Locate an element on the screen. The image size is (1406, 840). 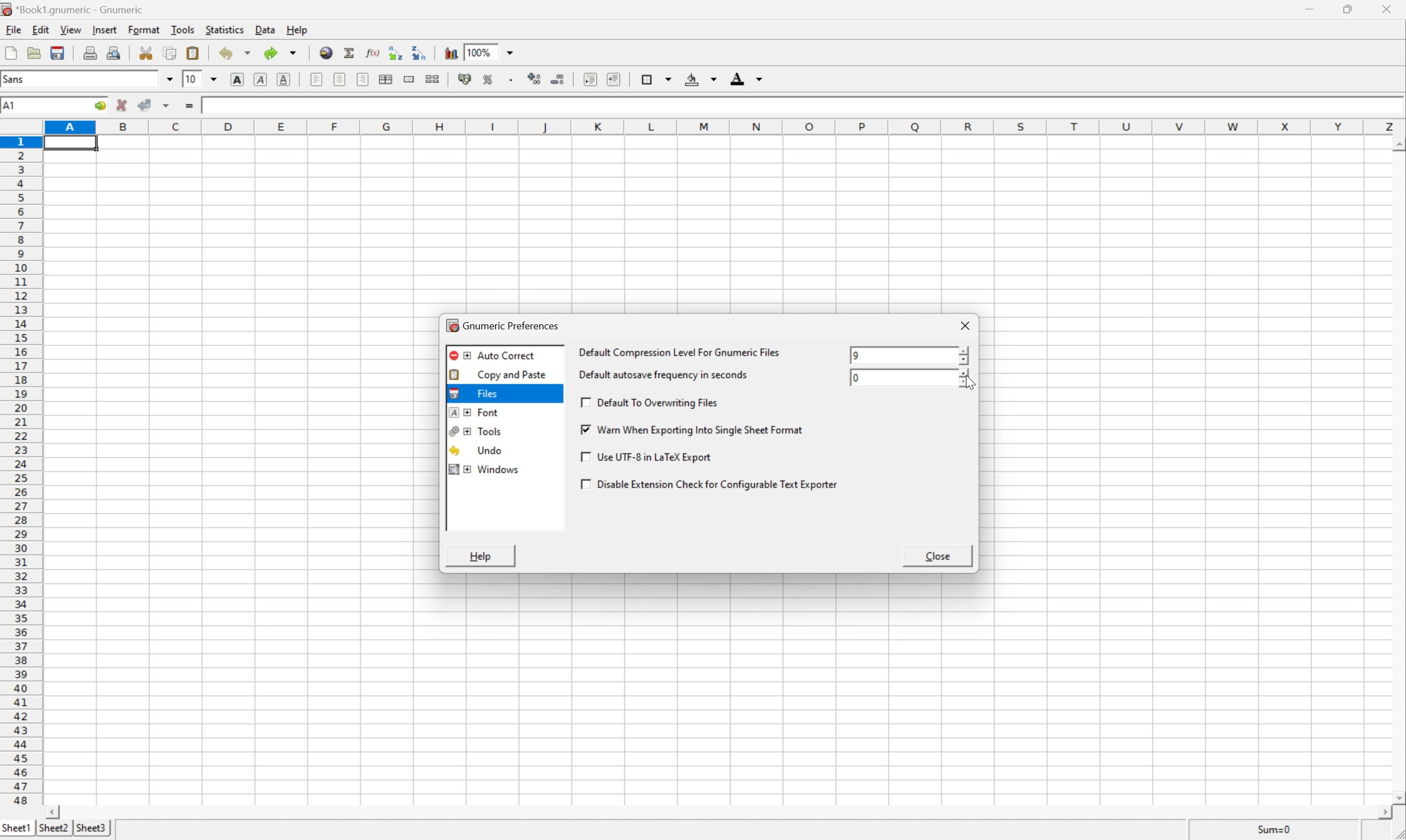
redo is located at coordinates (282, 53).